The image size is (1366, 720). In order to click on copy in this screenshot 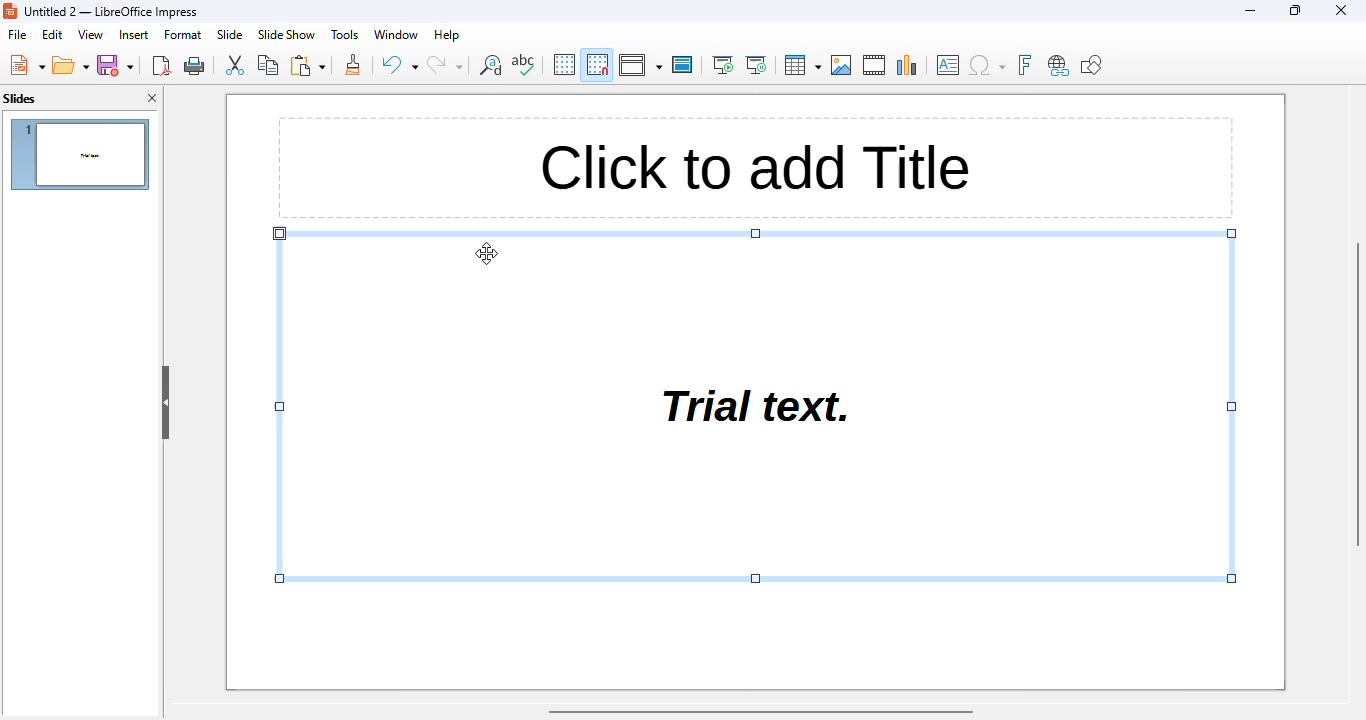, I will do `click(269, 65)`.